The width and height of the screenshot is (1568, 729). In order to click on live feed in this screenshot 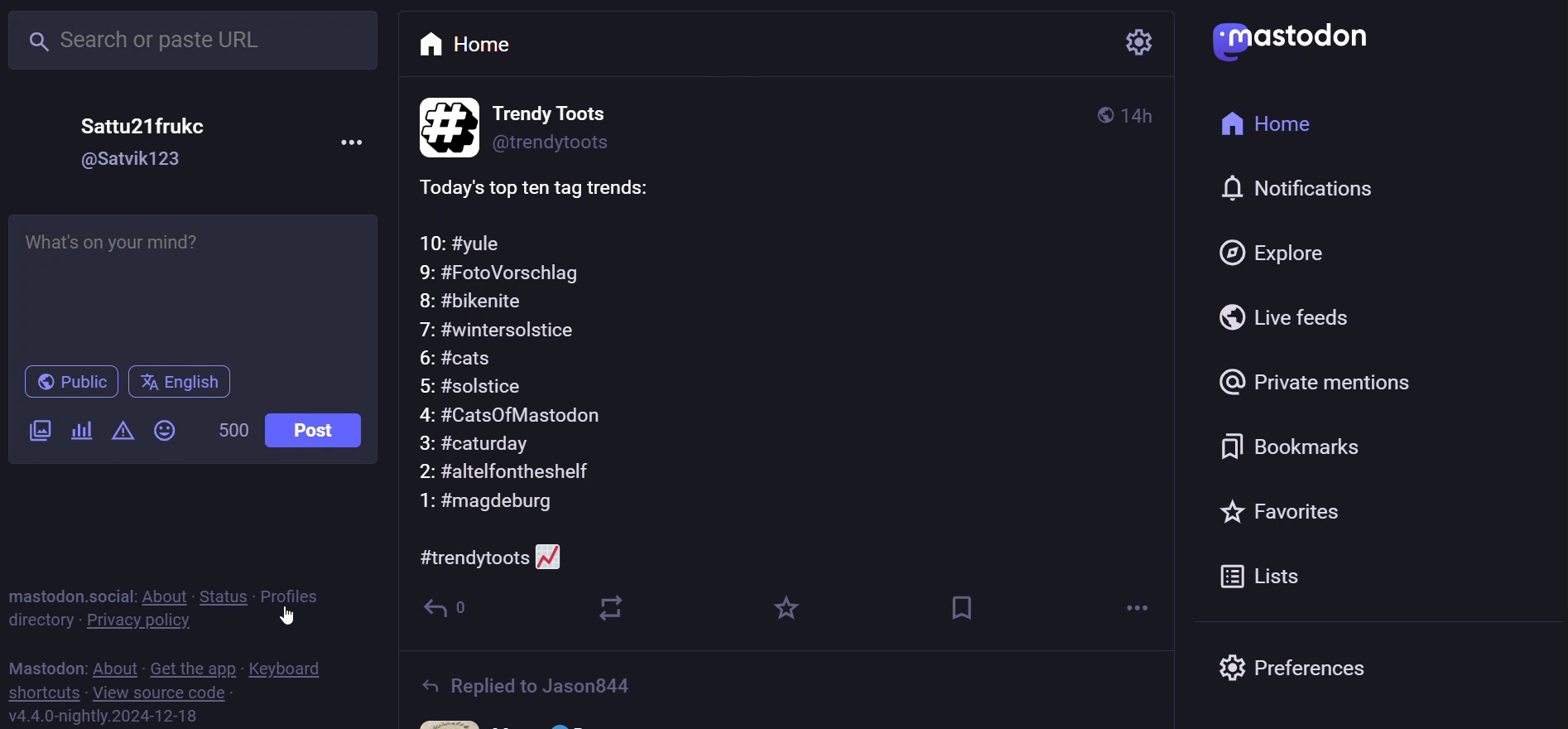, I will do `click(1291, 320)`.